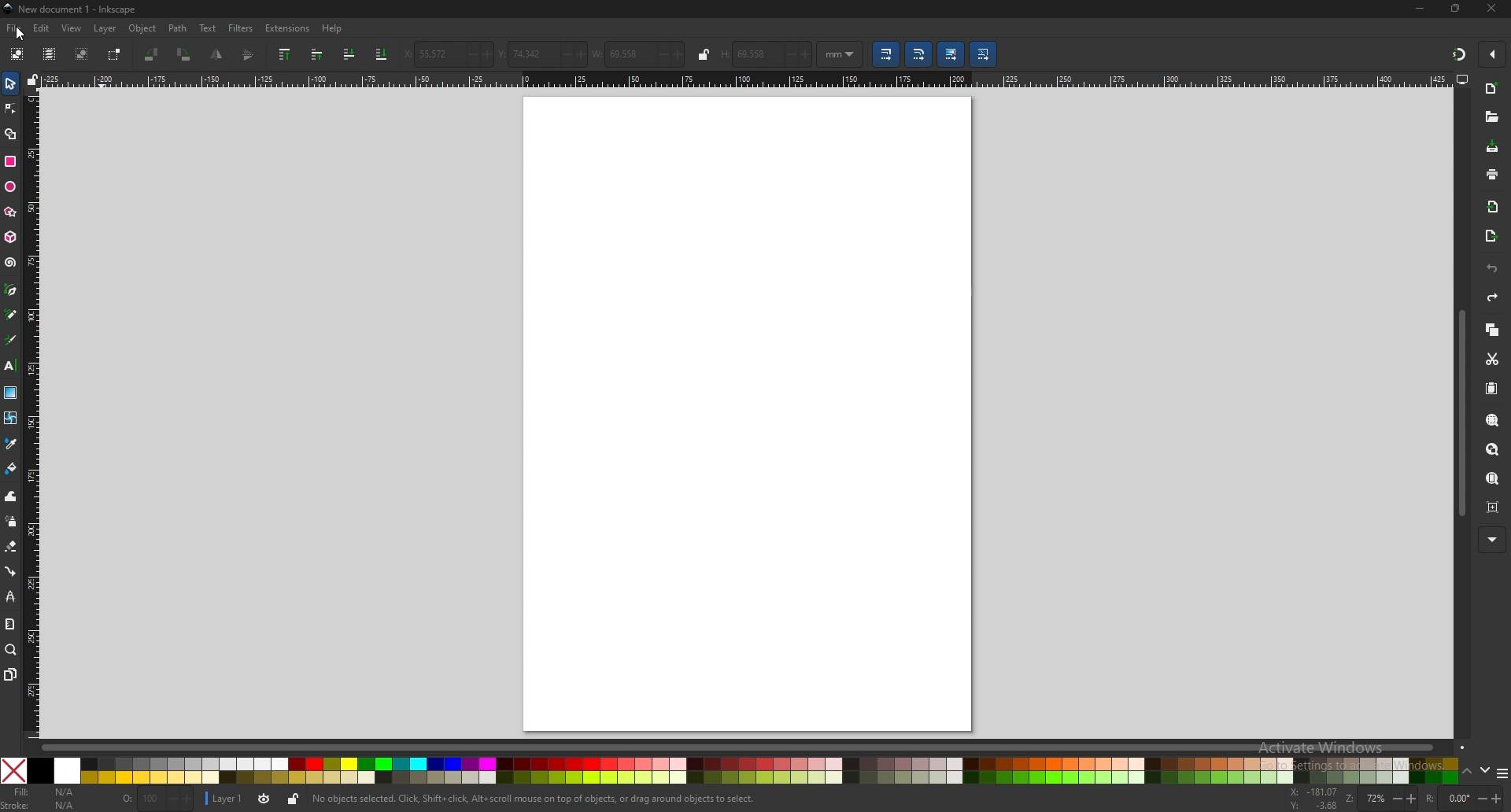  Describe the element at coordinates (10, 83) in the screenshot. I see `selector` at that location.